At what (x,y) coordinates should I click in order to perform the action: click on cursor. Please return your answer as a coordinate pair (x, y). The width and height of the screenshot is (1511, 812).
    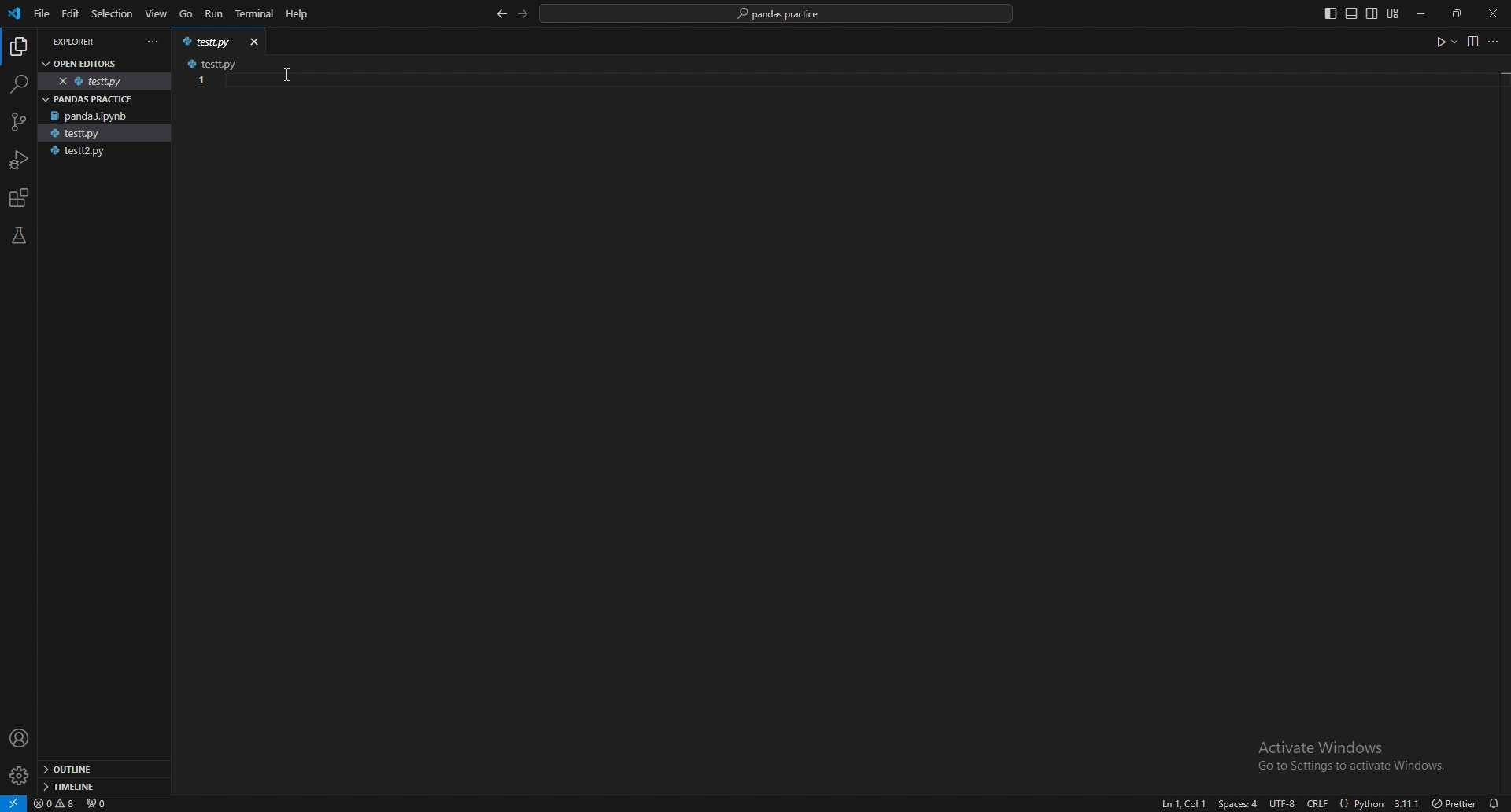
    Looking at the image, I should click on (294, 76).